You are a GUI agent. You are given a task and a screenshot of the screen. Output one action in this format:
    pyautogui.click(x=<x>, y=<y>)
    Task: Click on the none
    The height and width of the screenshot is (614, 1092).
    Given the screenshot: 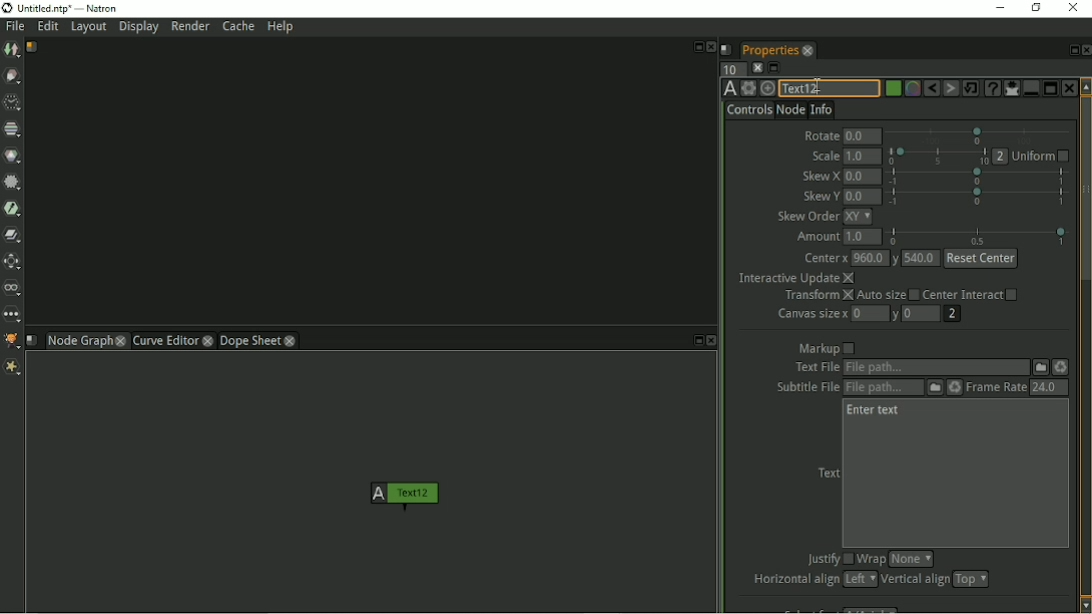 What is the action you would take?
    pyautogui.click(x=911, y=559)
    